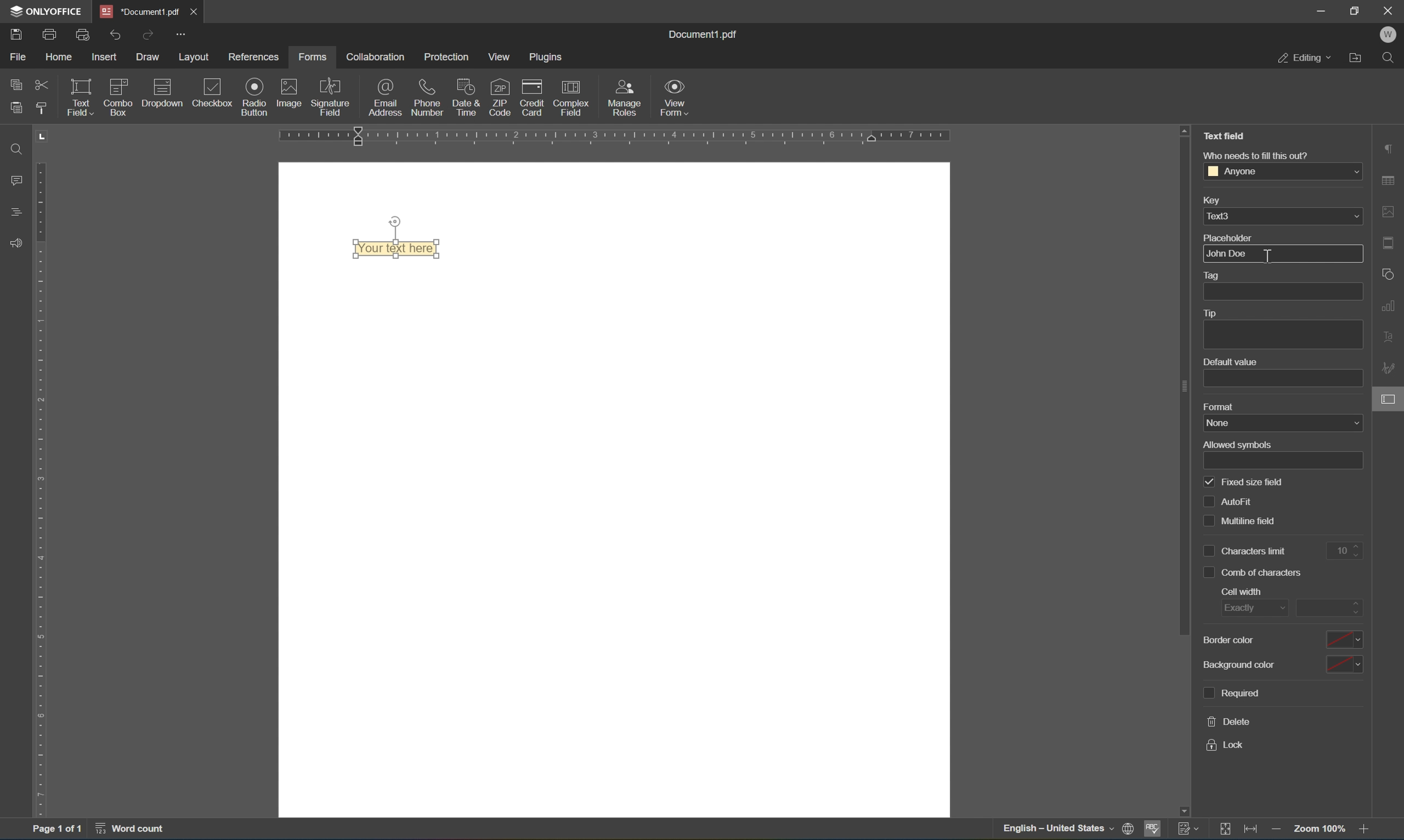  Describe the element at coordinates (1393, 215) in the screenshot. I see `image settings` at that location.